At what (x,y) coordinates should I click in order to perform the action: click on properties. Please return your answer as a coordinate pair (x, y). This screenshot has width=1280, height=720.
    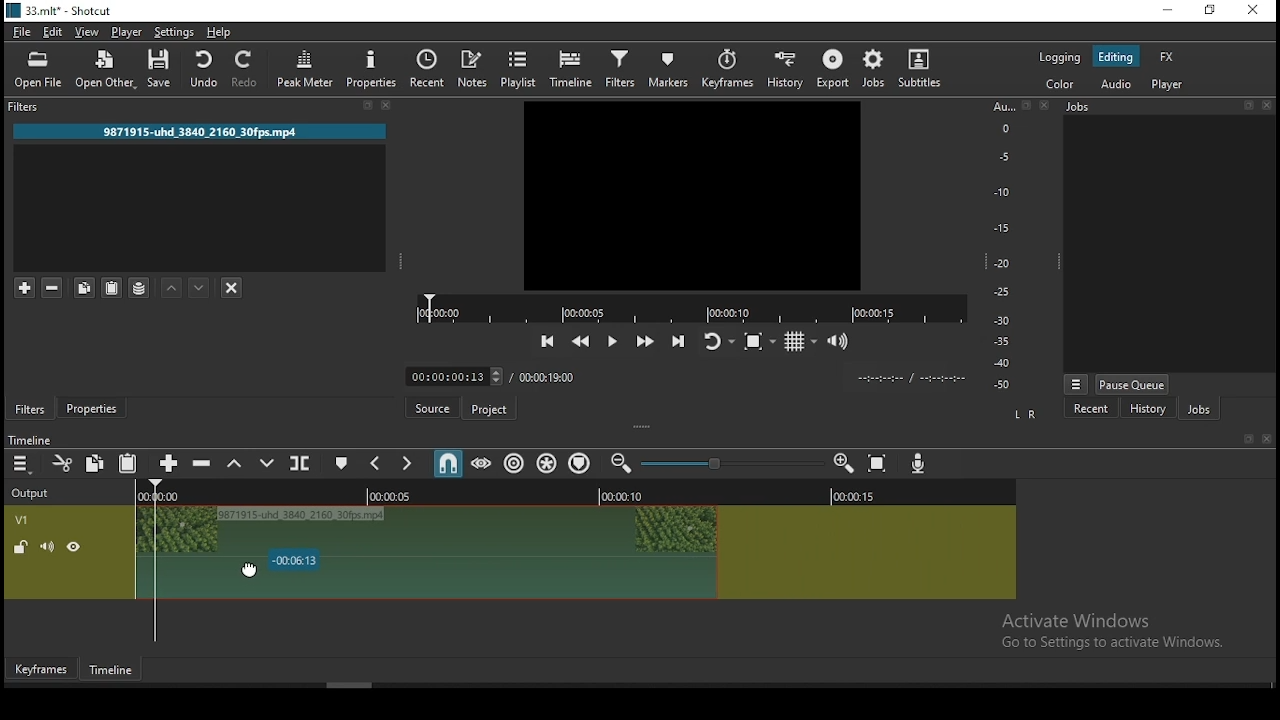
    Looking at the image, I should click on (96, 408).